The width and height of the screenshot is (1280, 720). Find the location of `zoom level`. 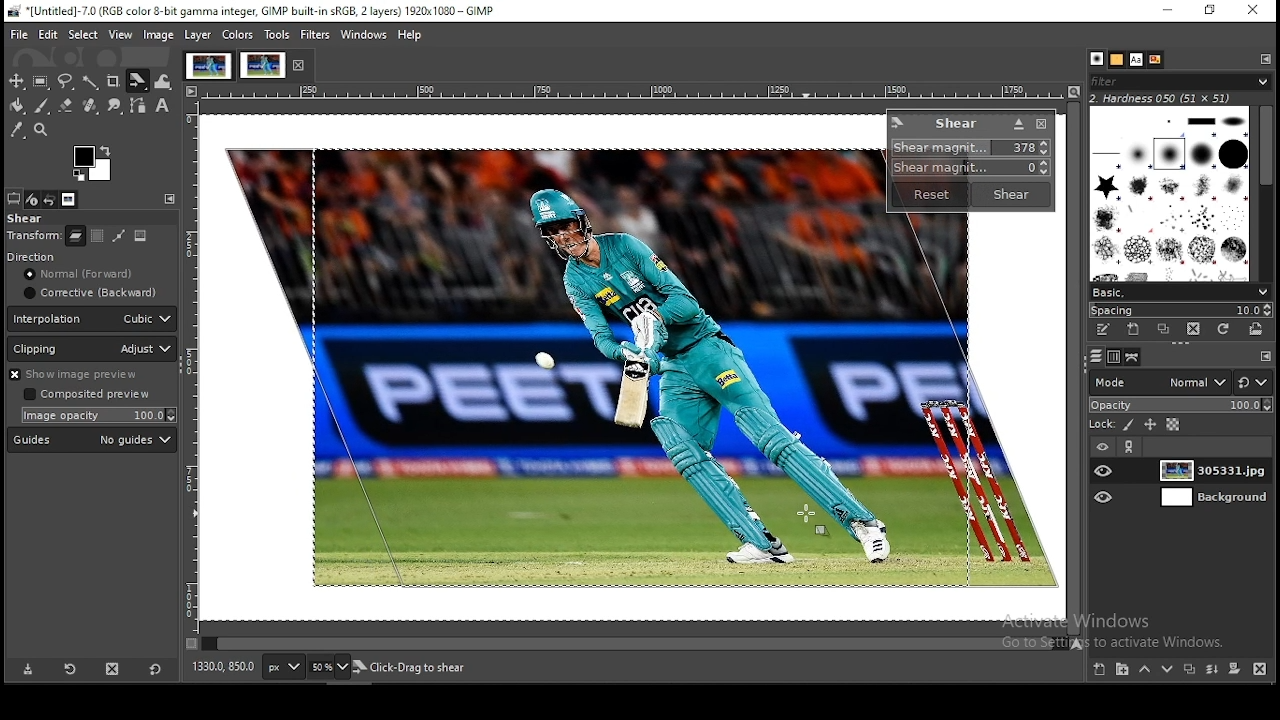

zoom level is located at coordinates (330, 667).